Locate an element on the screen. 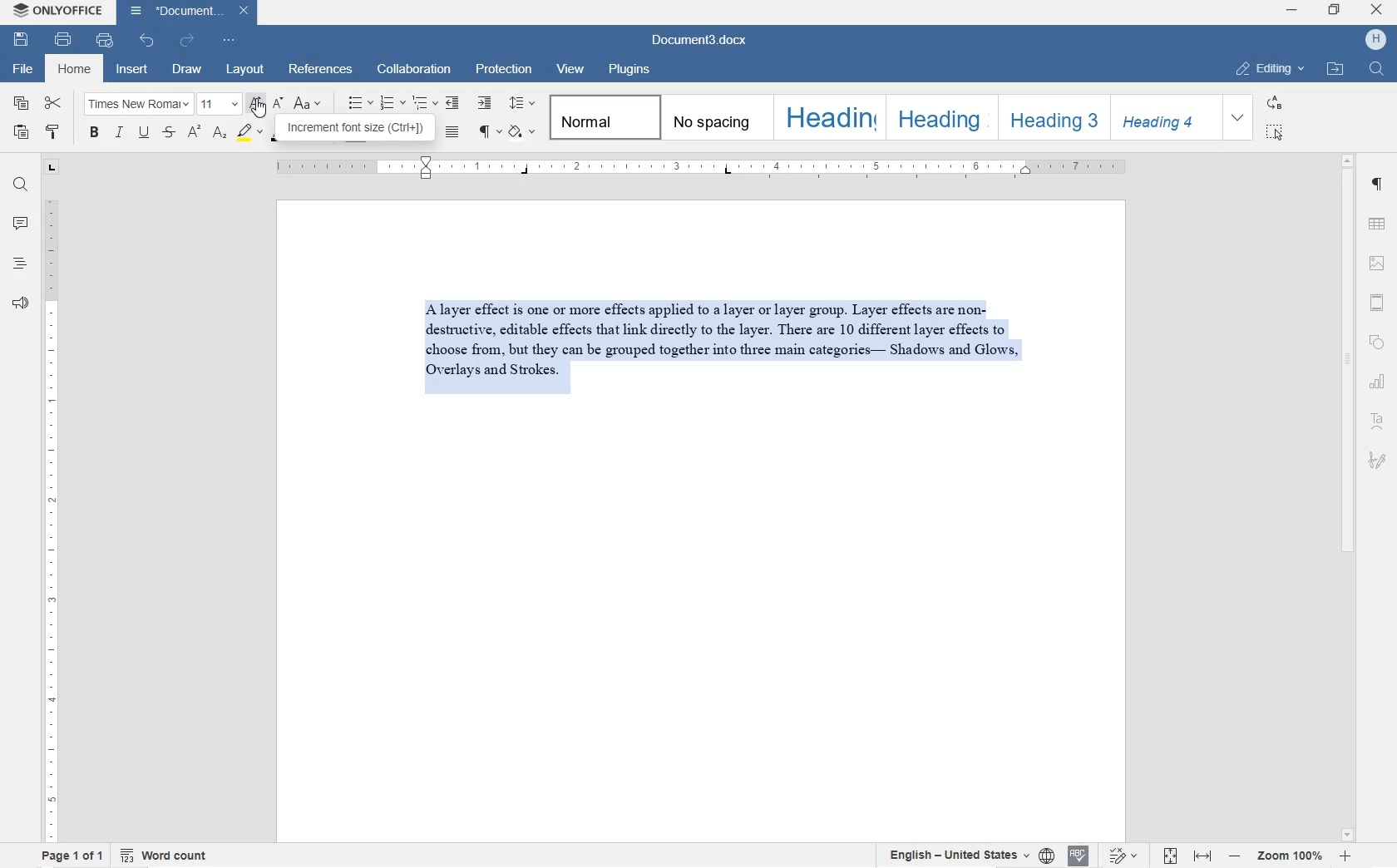 This screenshot has height=868, width=1397. Multilevel list is located at coordinates (423, 104).